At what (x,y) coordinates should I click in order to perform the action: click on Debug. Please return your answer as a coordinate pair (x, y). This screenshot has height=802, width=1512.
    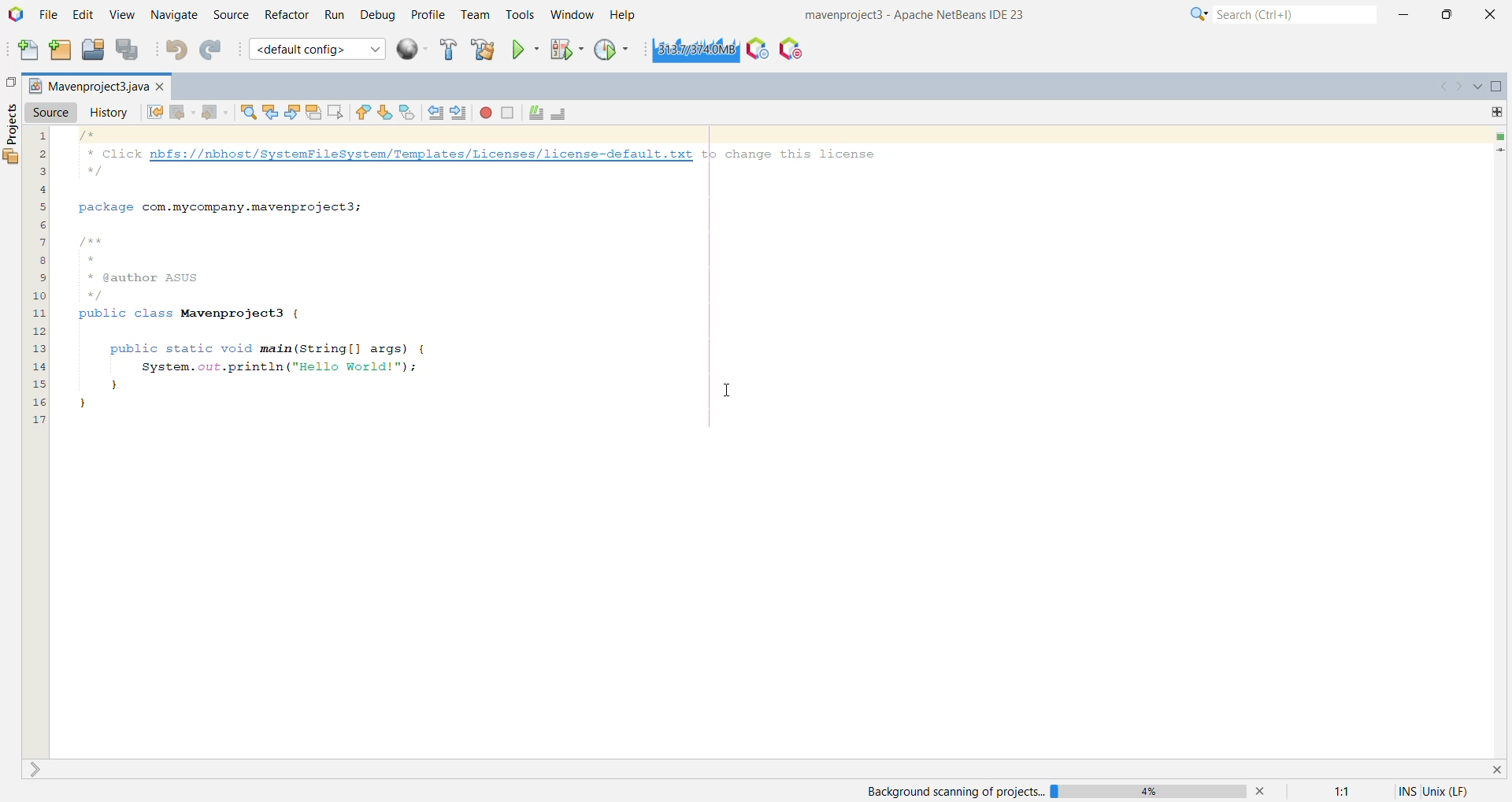
    Looking at the image, I should click on (377, 16).